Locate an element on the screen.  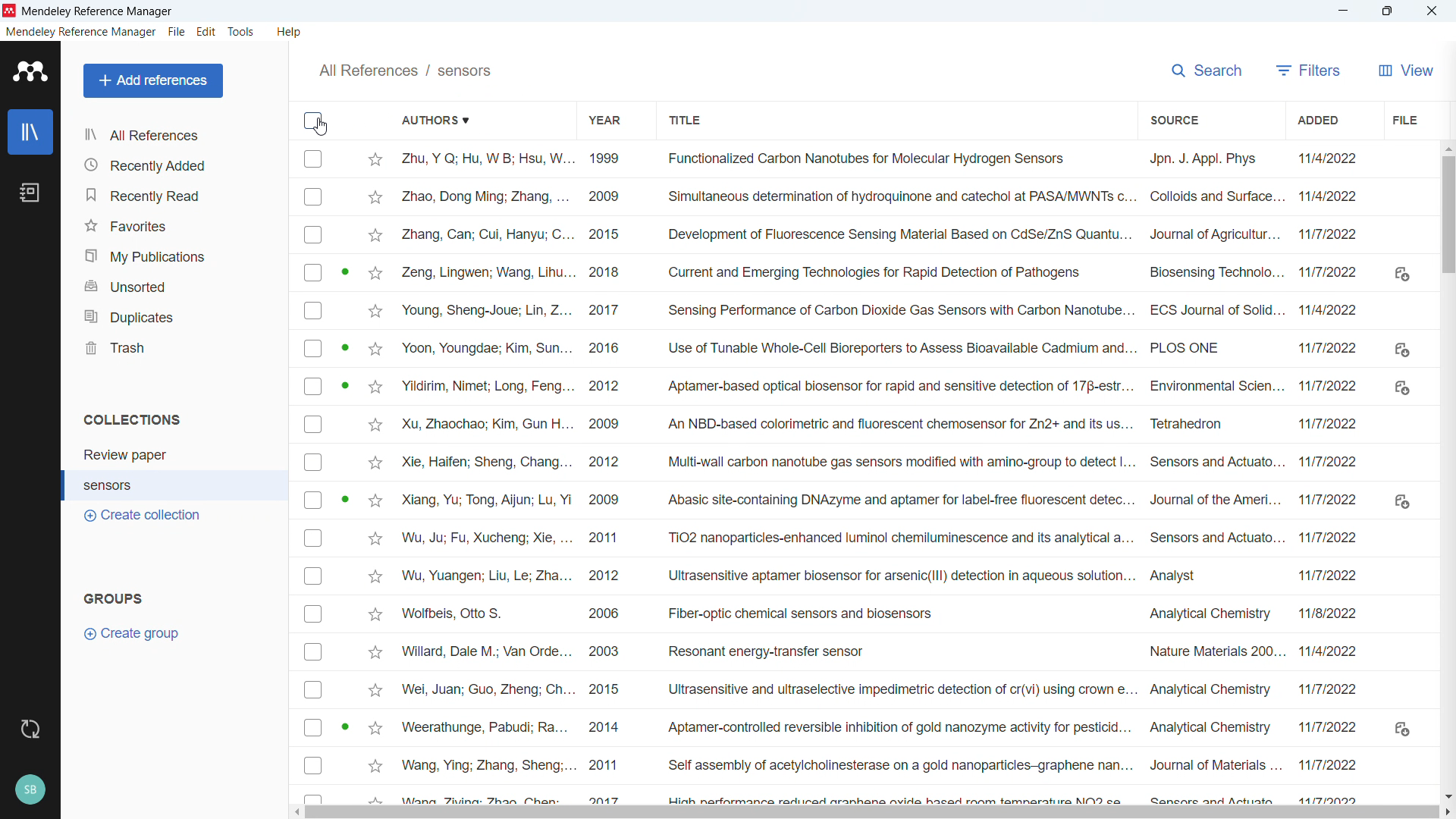
unsorted is located at coordinates (174, 284).